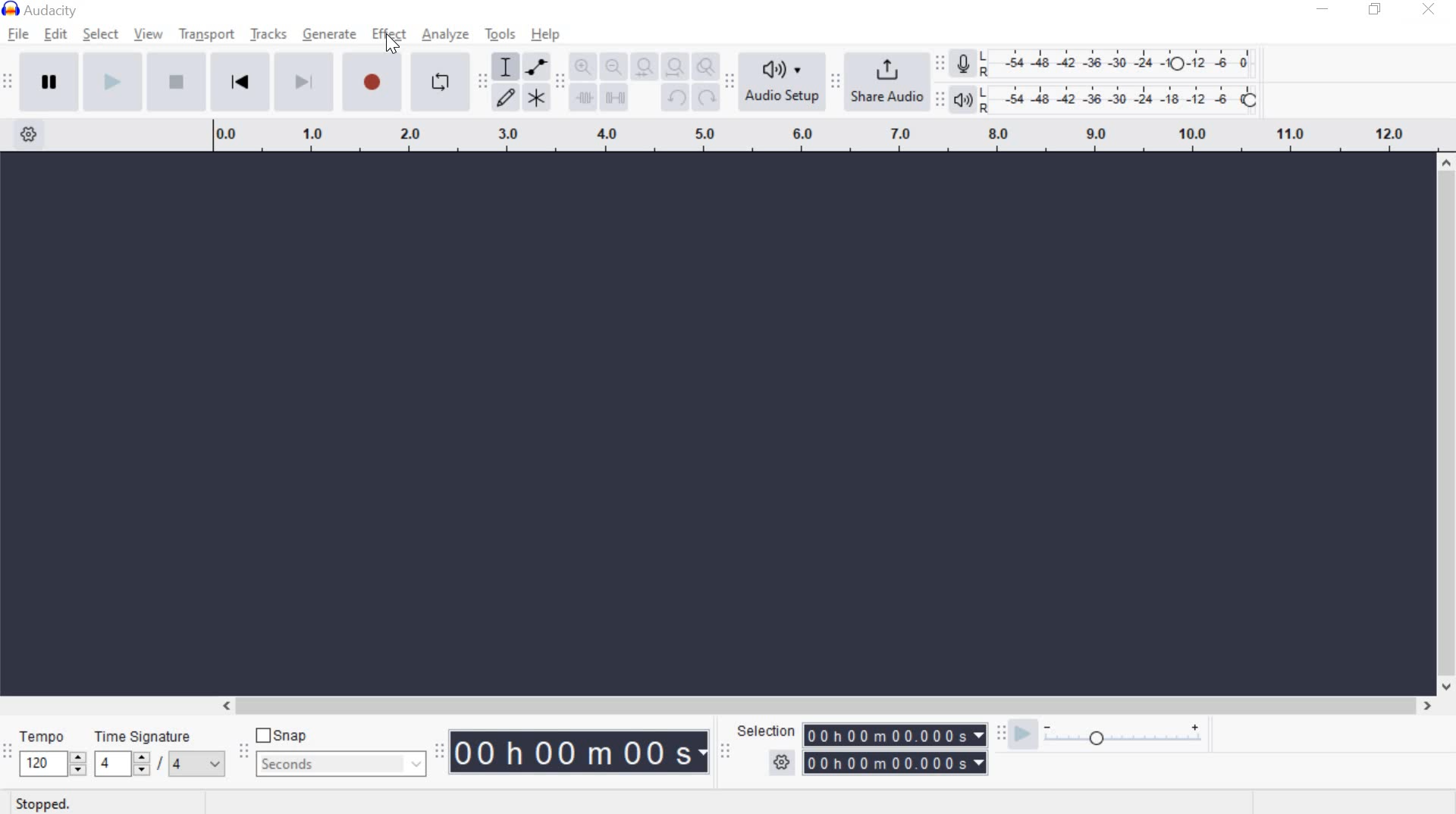 The height and width of the screenshot is (814, 1456). I want to click on Playback meter toolbar, so click(937, 98).